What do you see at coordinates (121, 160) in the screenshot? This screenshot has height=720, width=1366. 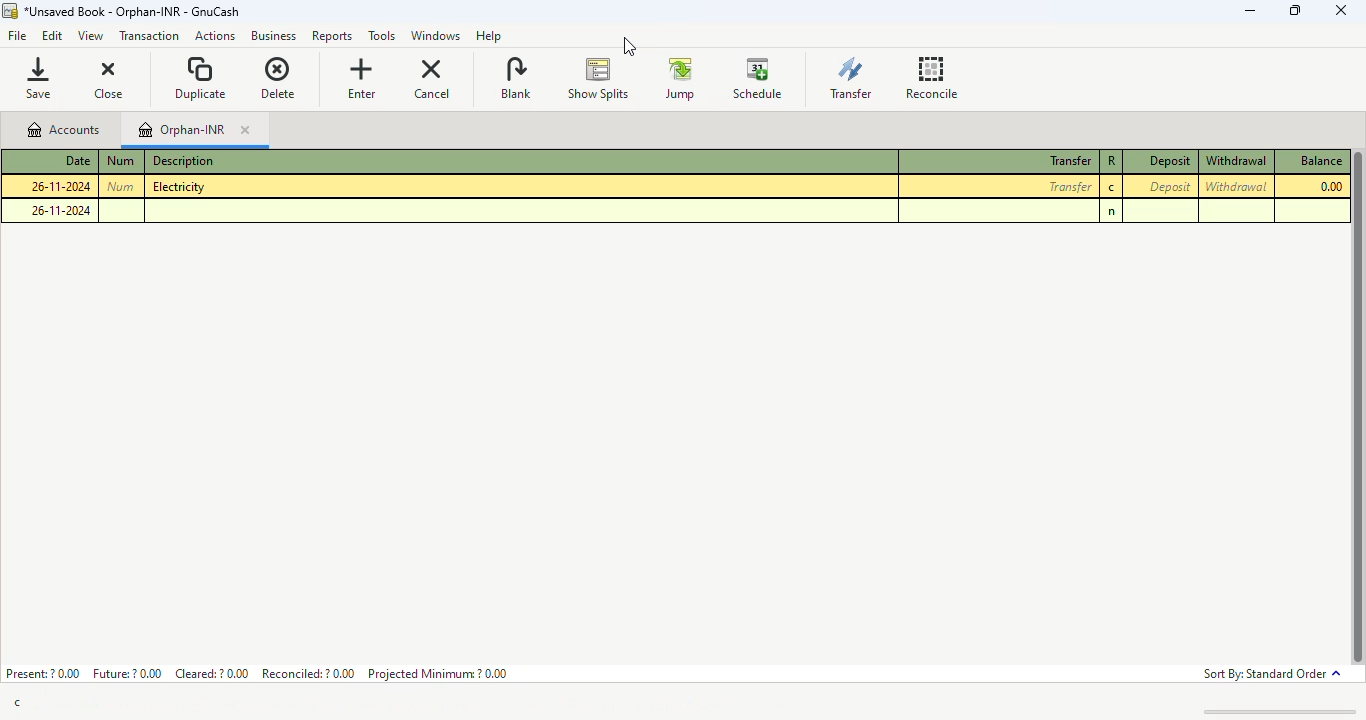 I see `num` at bounding box center [121, 160].